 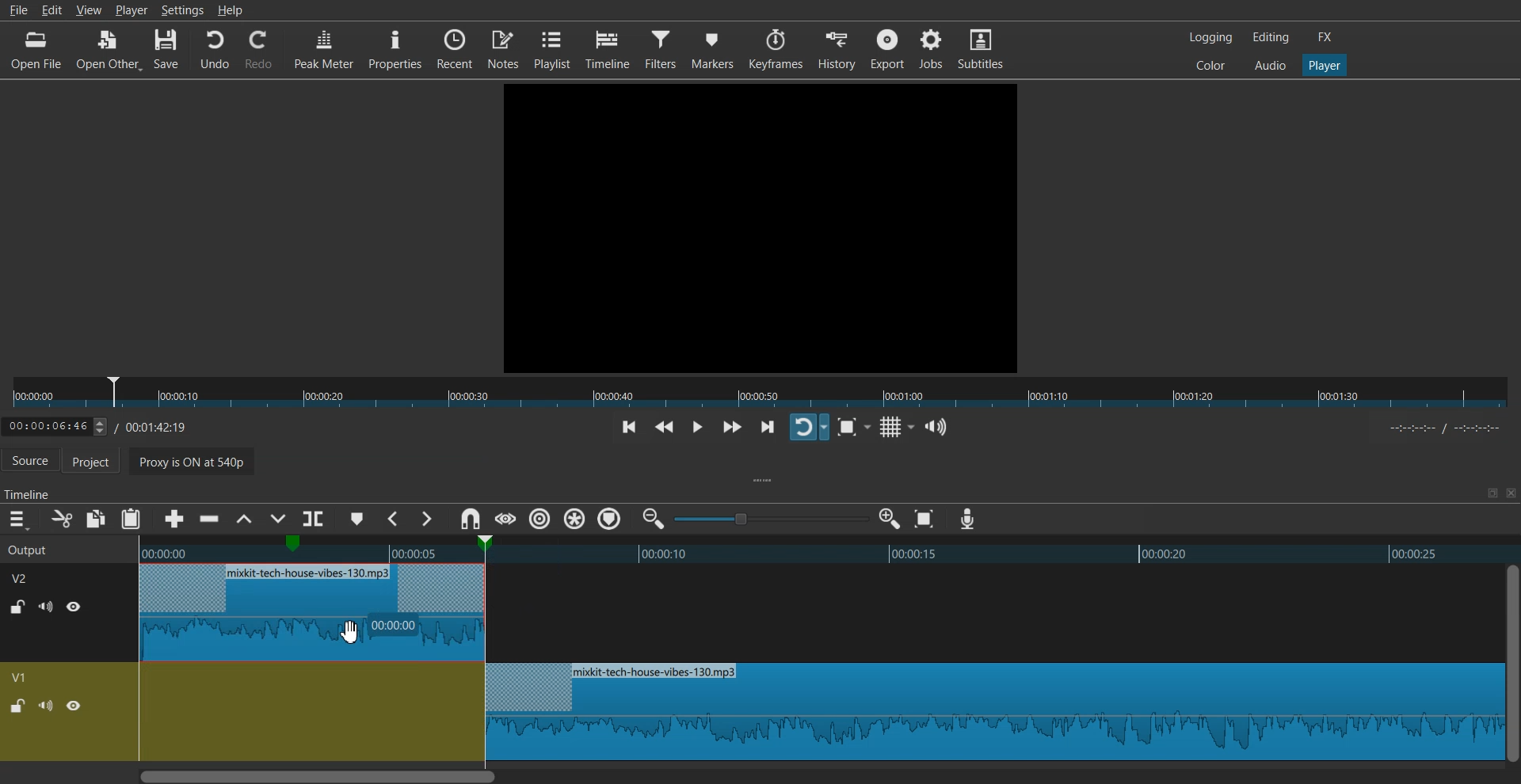 I want to click on Mute, so click(x=46, y=607).